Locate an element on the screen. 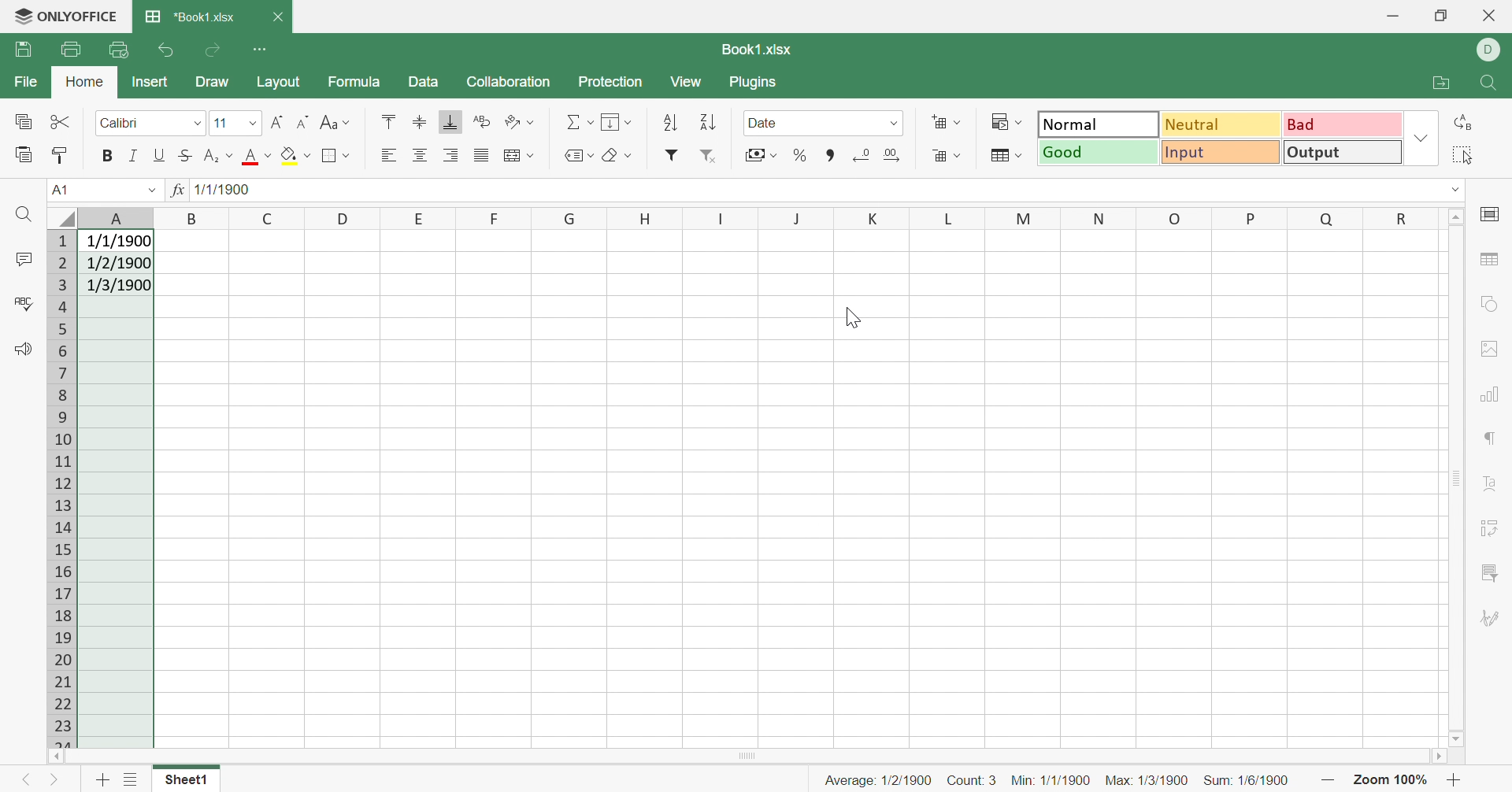 Image resolution: width=1512 pixels, height=792 pixels. Align right is located at coordinates (451, 155).